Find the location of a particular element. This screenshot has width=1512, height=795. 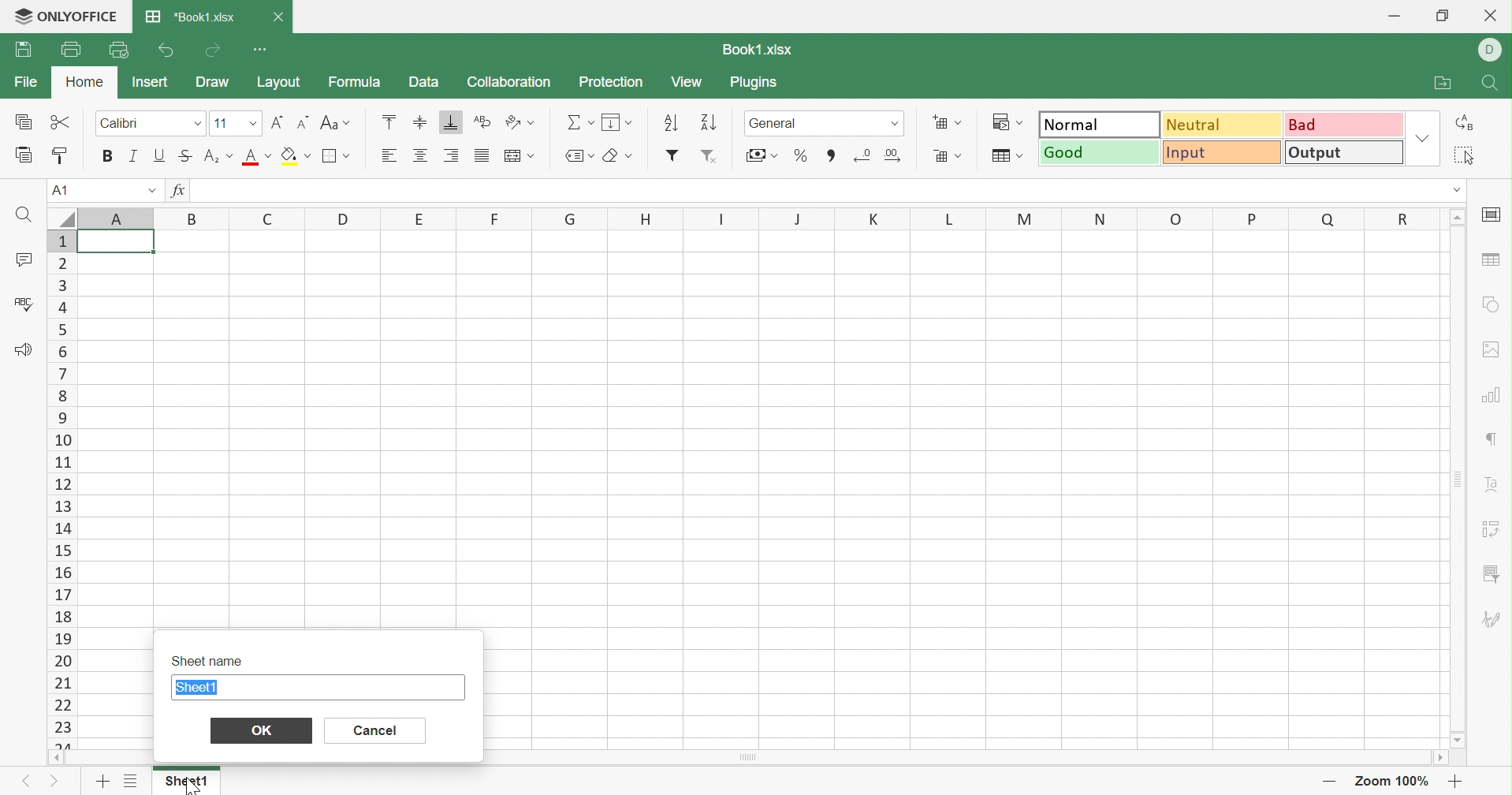

Minimize is located at coordinates (1394, 15).